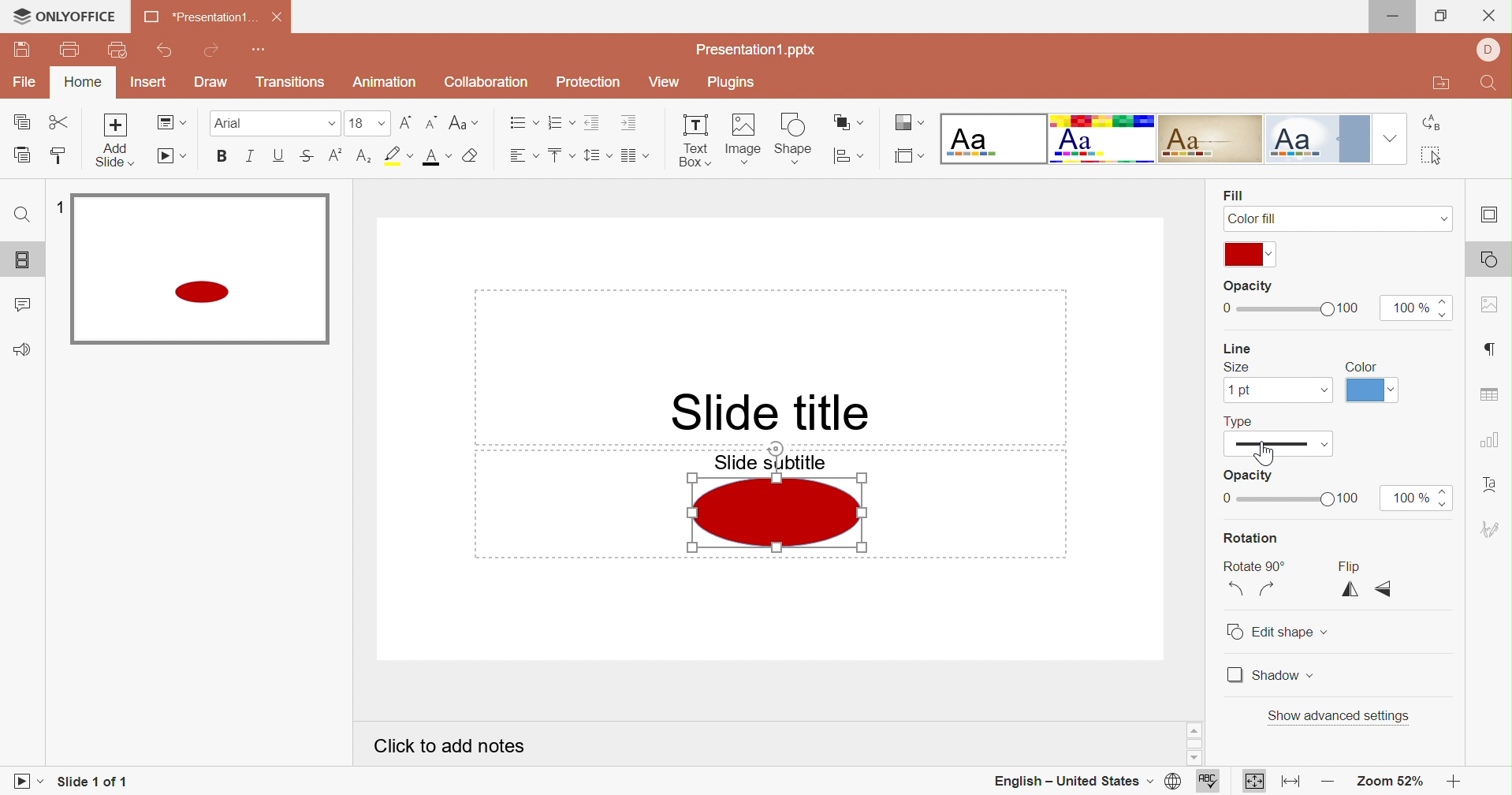  I want to click on 0, so click(1227, 498).